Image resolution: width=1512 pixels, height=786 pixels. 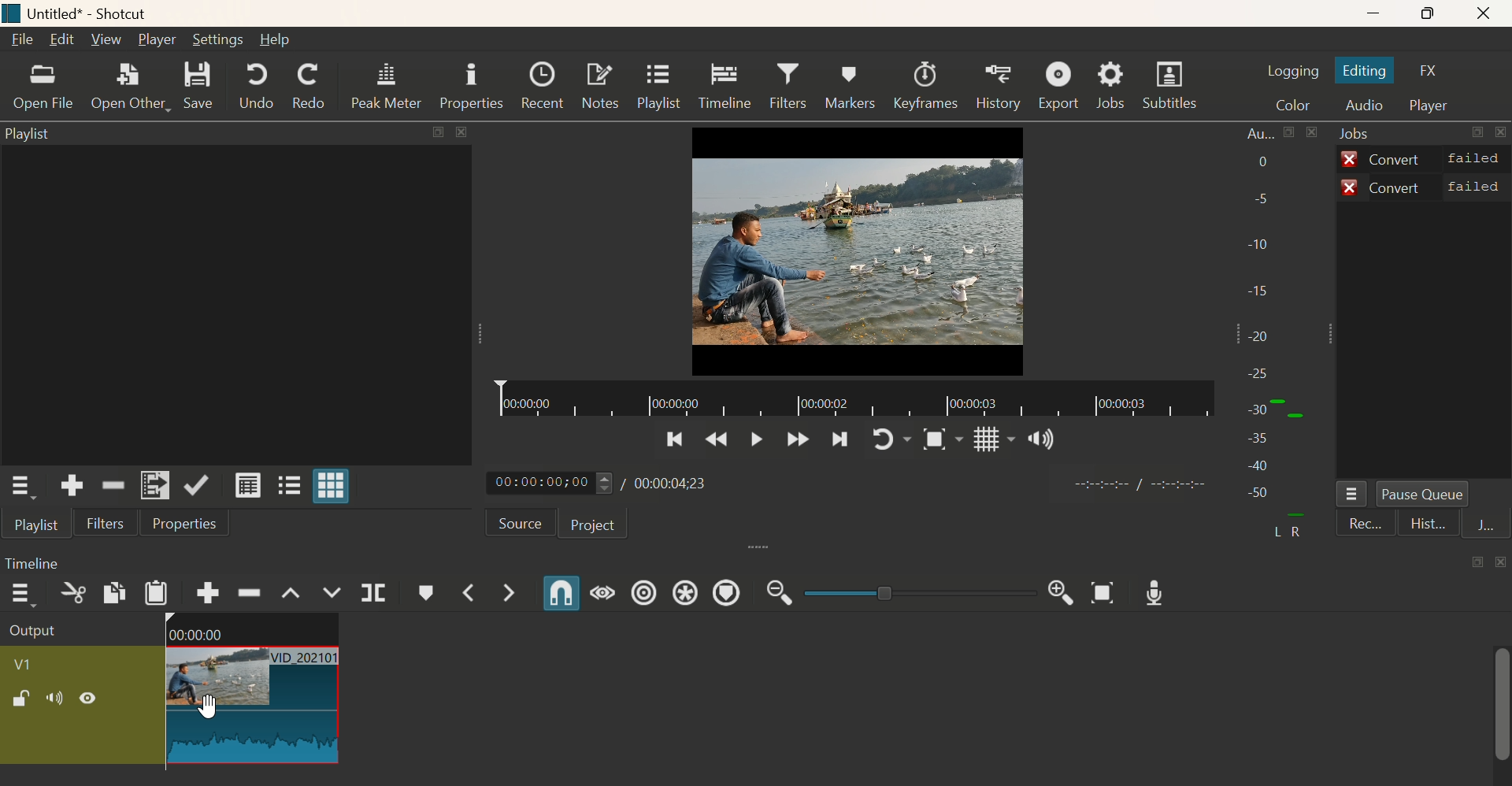 I want to click on Edit, so click(x=62, y=43).